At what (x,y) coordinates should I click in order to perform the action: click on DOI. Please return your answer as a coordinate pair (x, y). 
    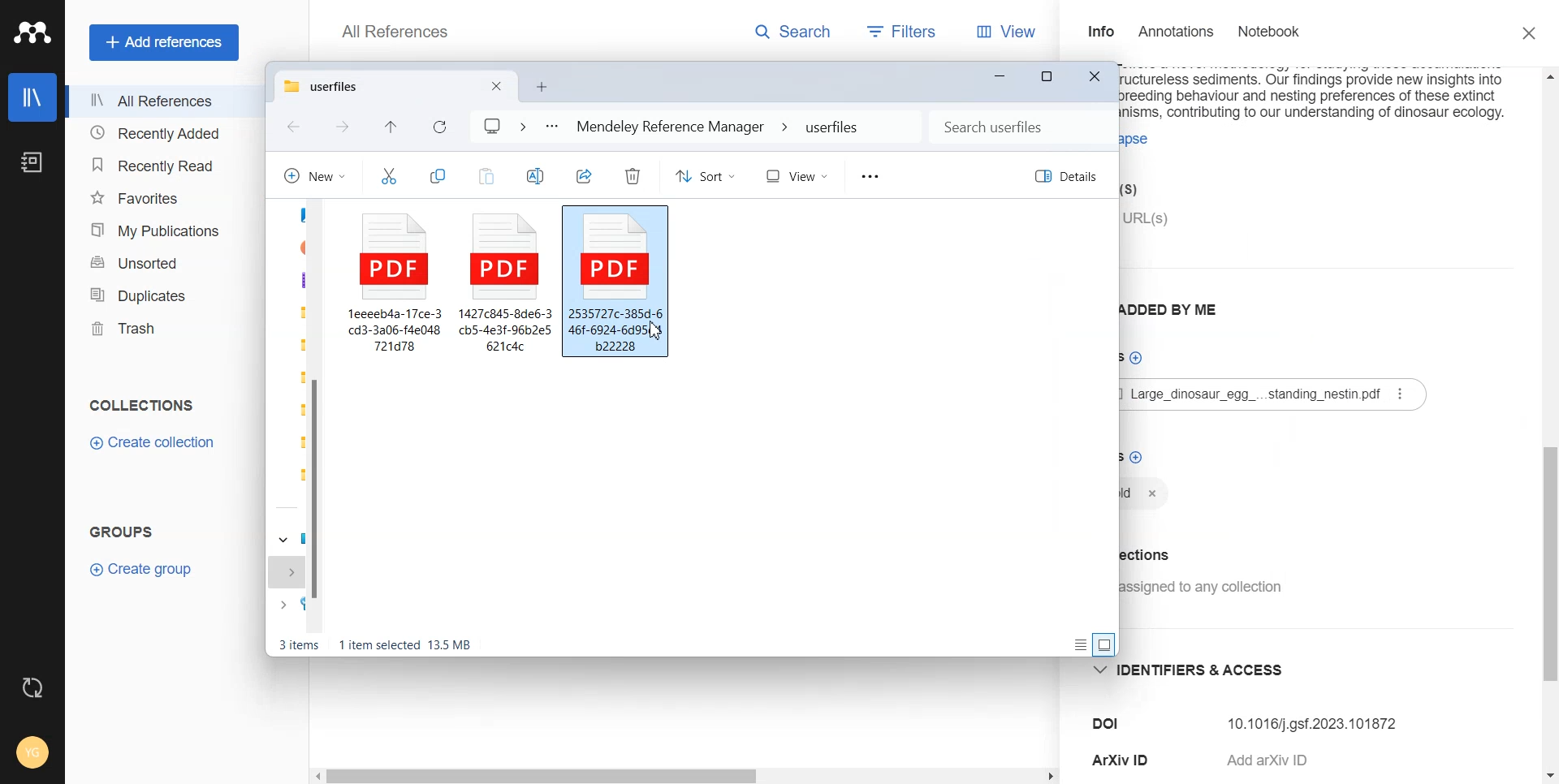
    Looking at the image, I should click on (1108, 724).